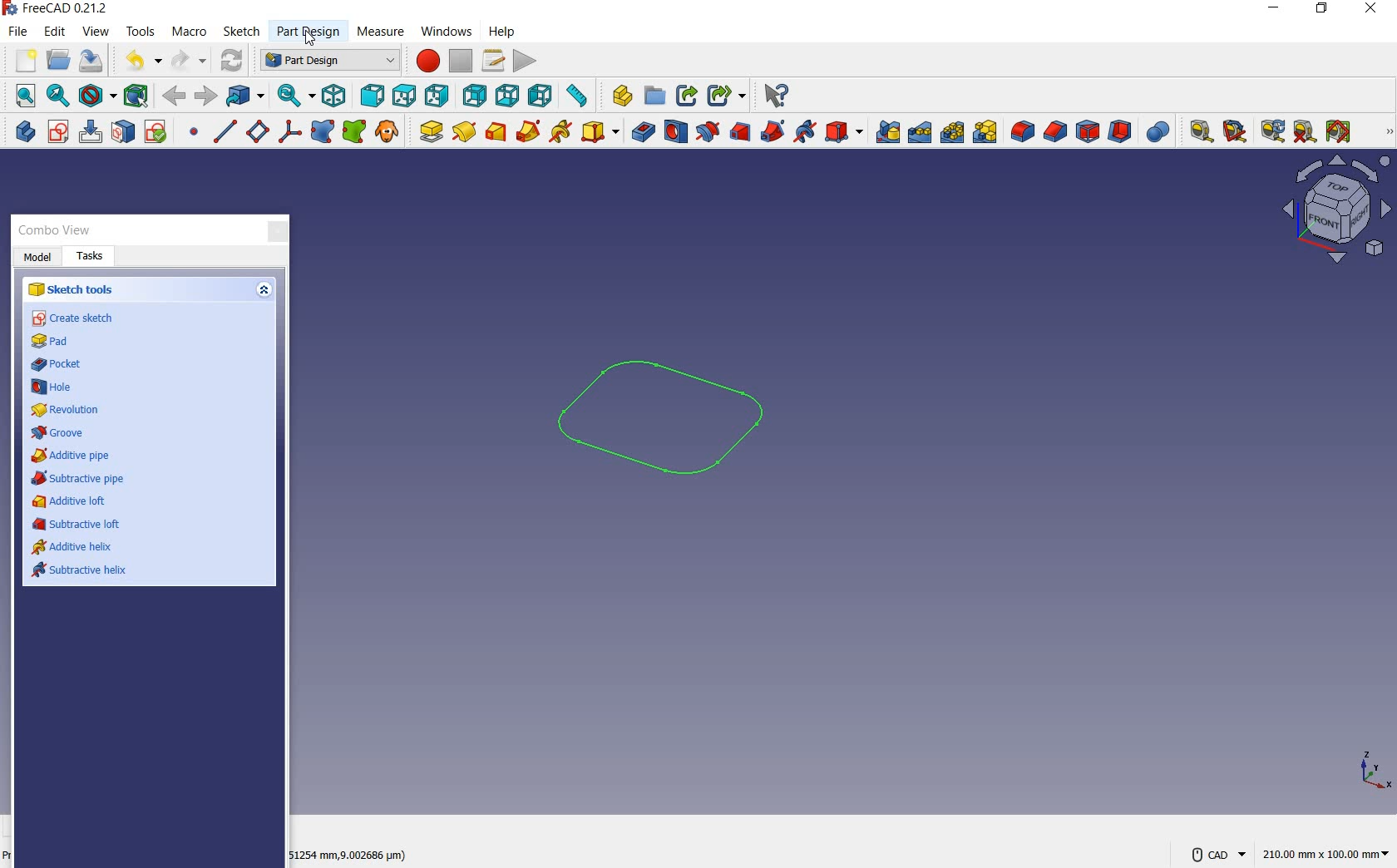 The image size is (1397, 868). What do you see at coordinates (142, 61) in the screenshot?
I see `undo` at bounding box center [142, 61].